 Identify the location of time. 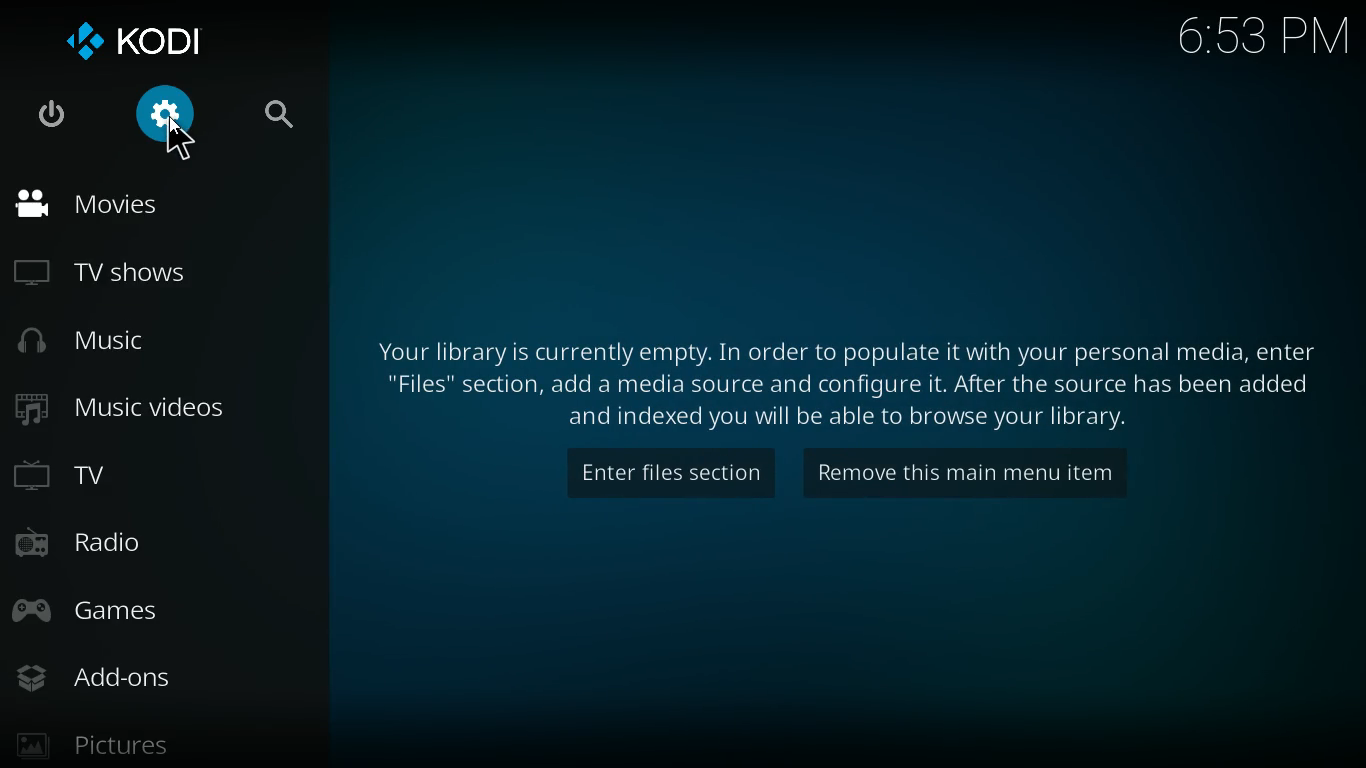
(1262, 37).